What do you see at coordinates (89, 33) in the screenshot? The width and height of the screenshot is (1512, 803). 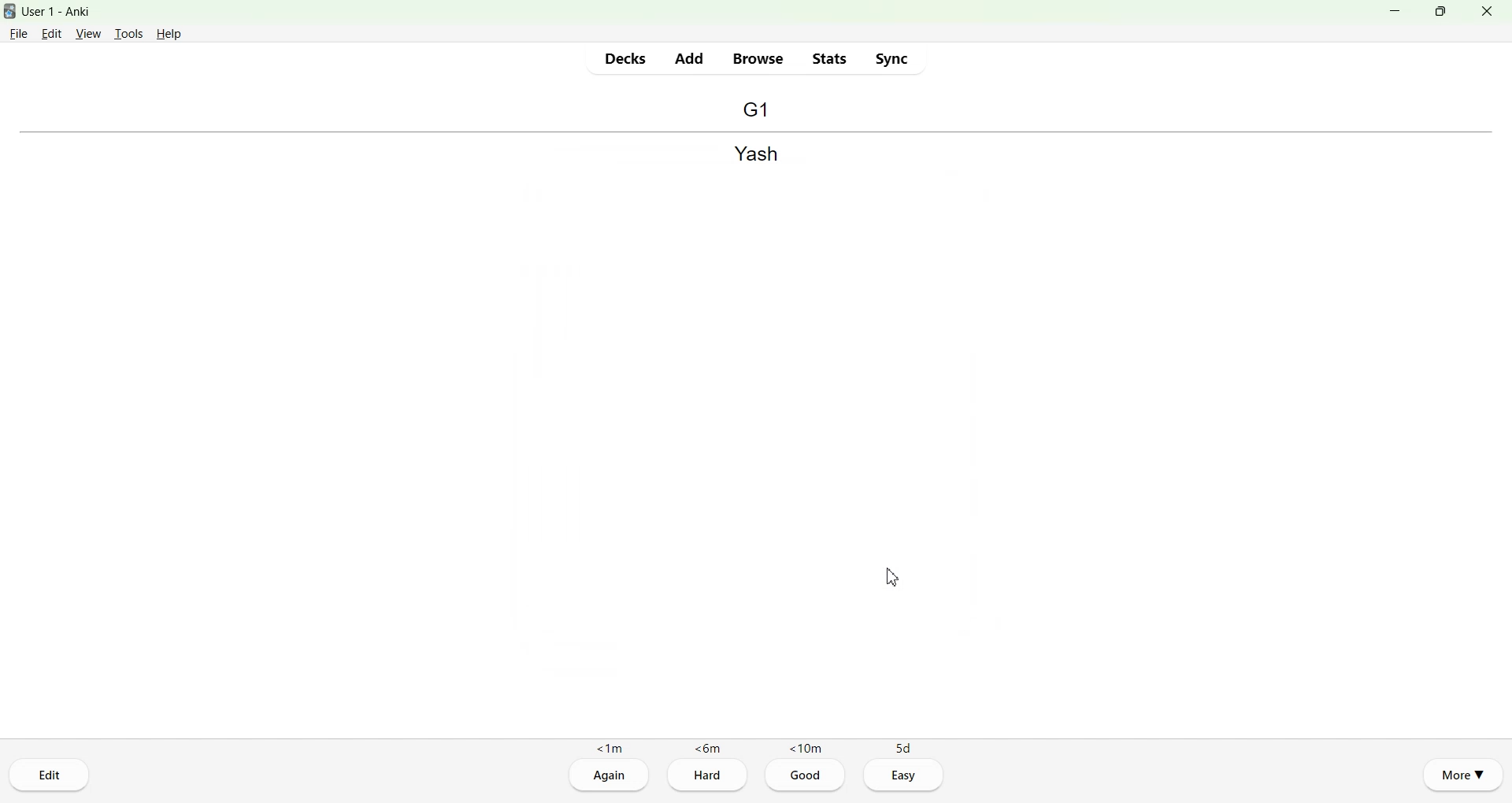 I see `View` at bounding box center [89, 33].